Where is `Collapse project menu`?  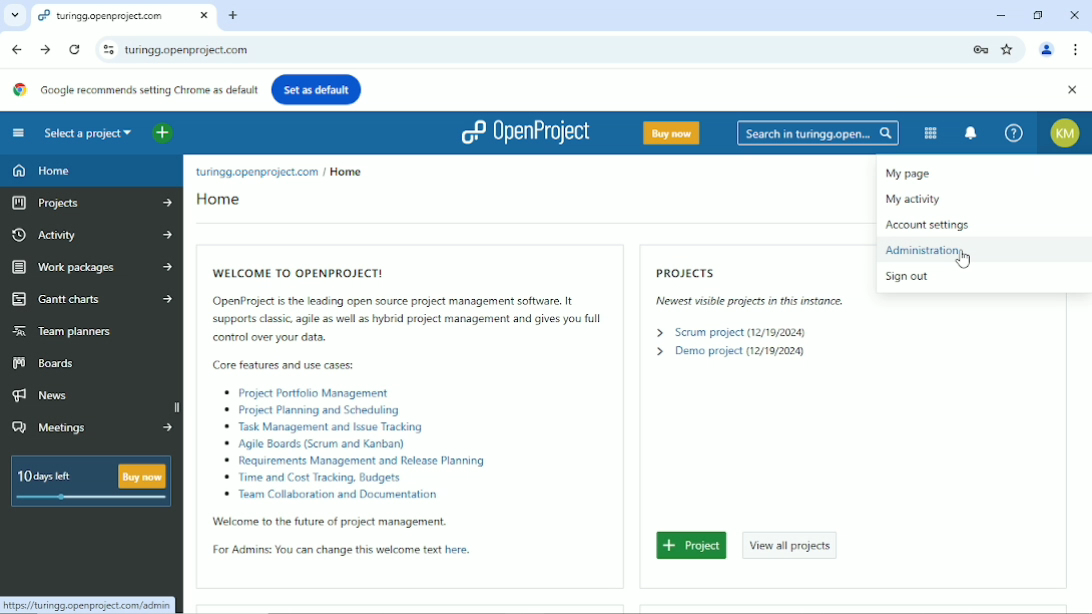
Collapse project menu is located at coordinates (18, 133).